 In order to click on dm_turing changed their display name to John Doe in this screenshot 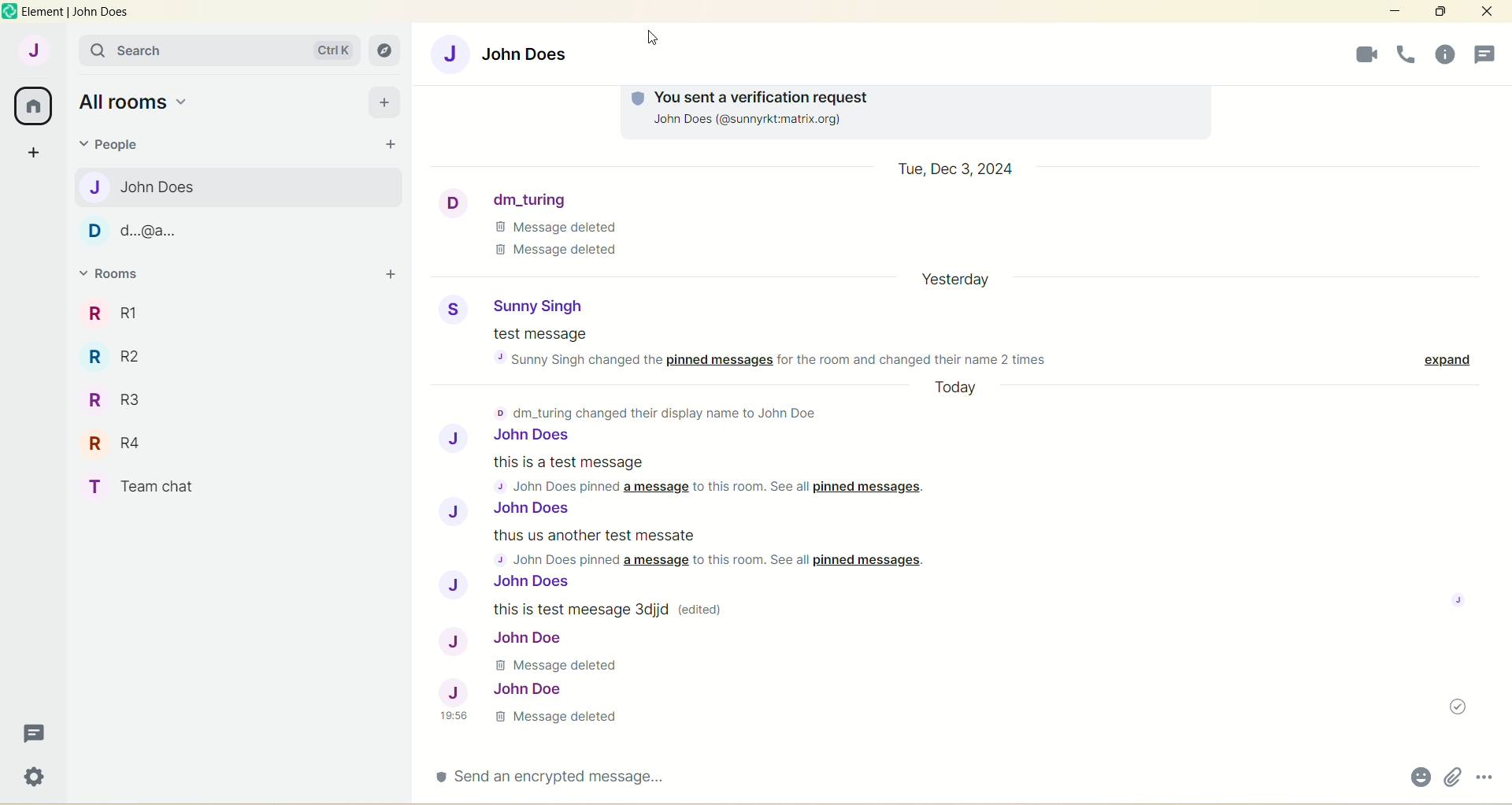, I will do `click(664, 411)`.